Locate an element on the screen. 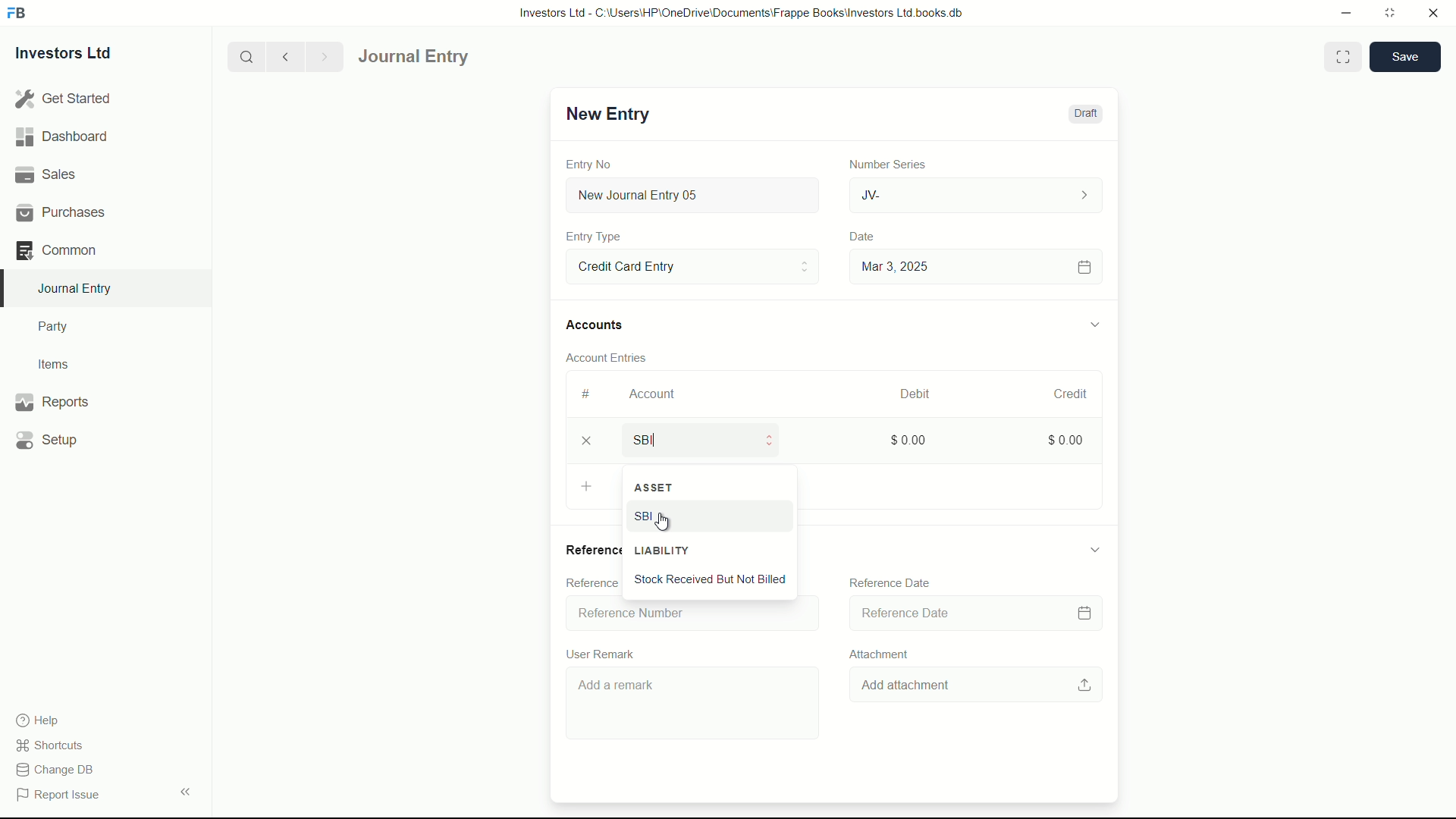 Image resolution: width=1456 pixels, height=819 pixels. Entry Type is located at coordinates (594, 237).